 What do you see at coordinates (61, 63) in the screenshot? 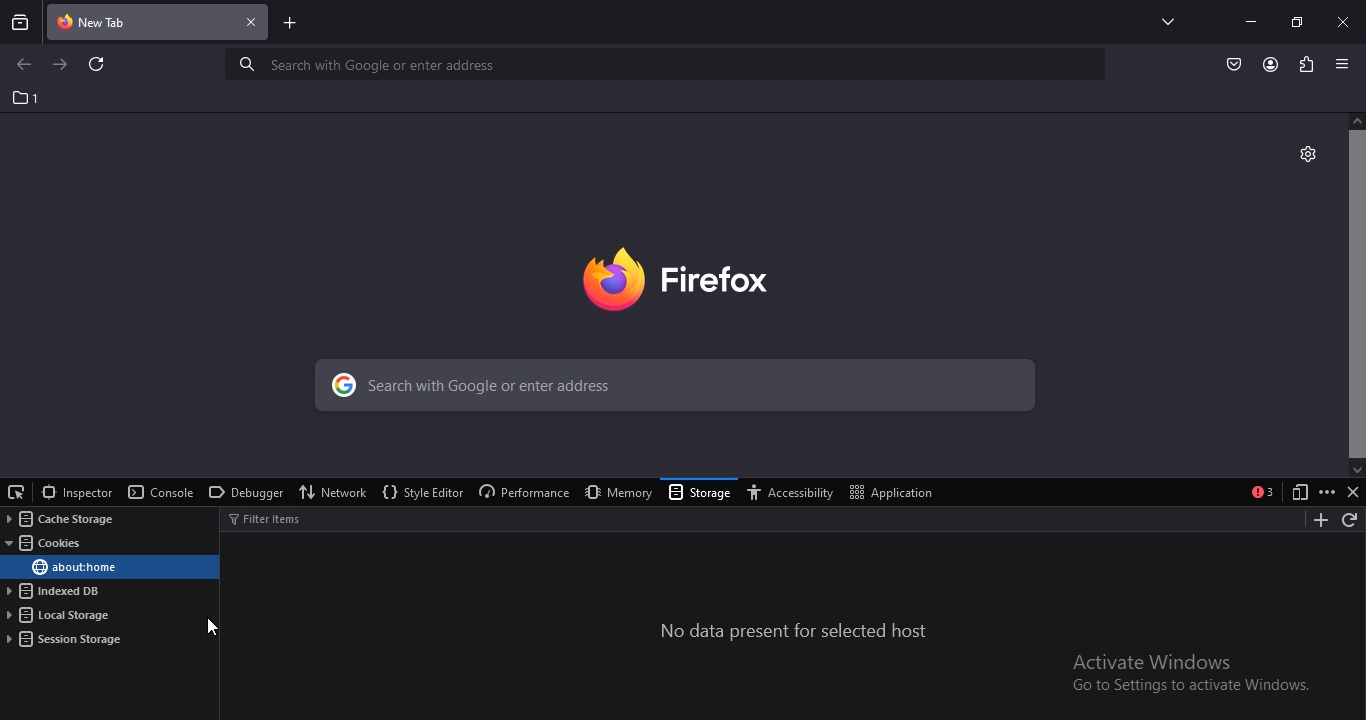
I see `click to go to next page` at bounding box center [61, 63].